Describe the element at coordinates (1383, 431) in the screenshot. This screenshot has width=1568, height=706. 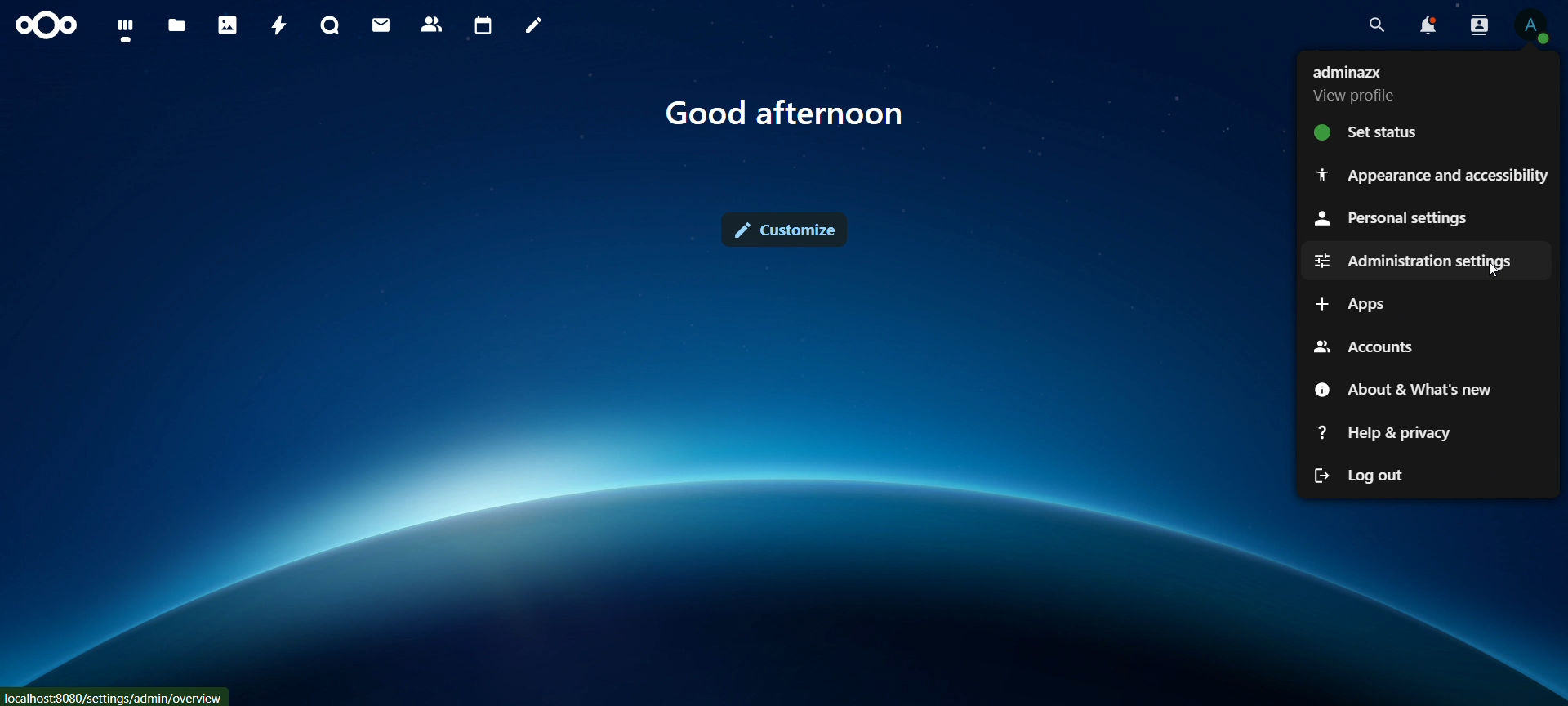
I see `help & privacy` at that location.